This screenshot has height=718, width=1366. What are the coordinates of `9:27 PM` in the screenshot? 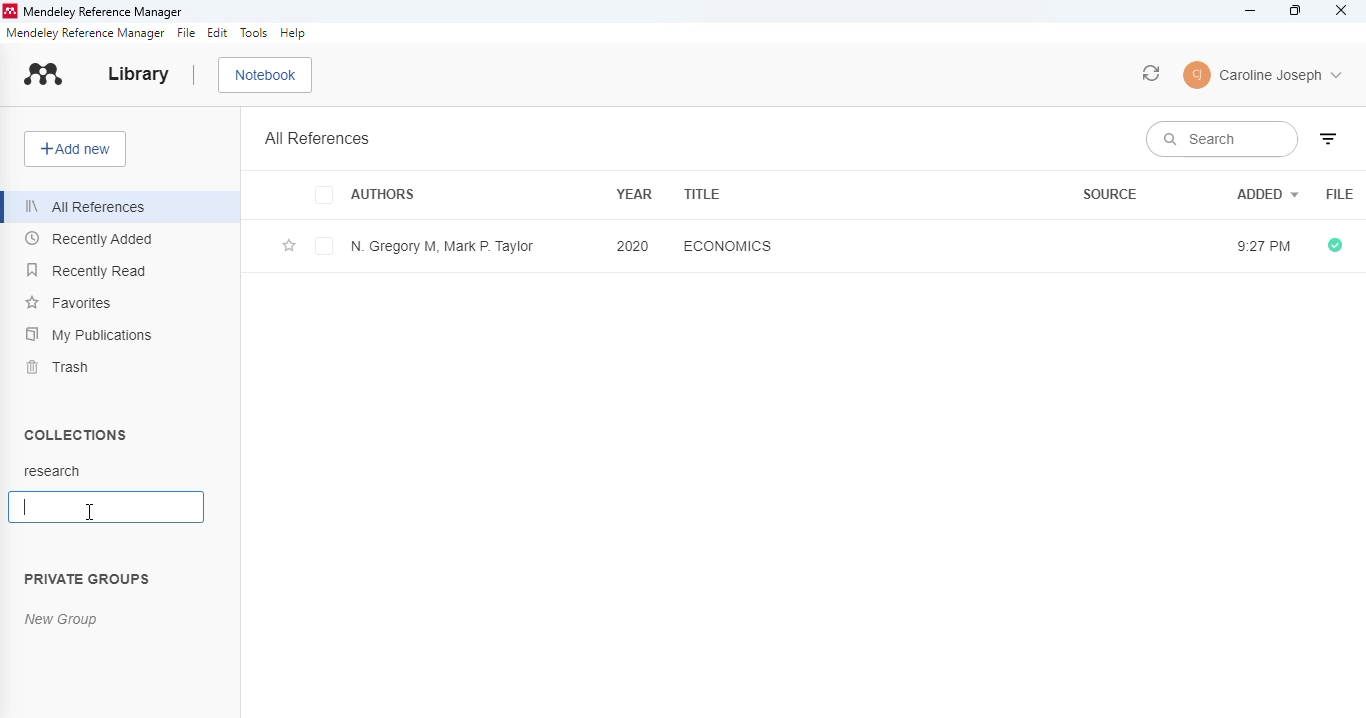 It's located at (1260, 247).